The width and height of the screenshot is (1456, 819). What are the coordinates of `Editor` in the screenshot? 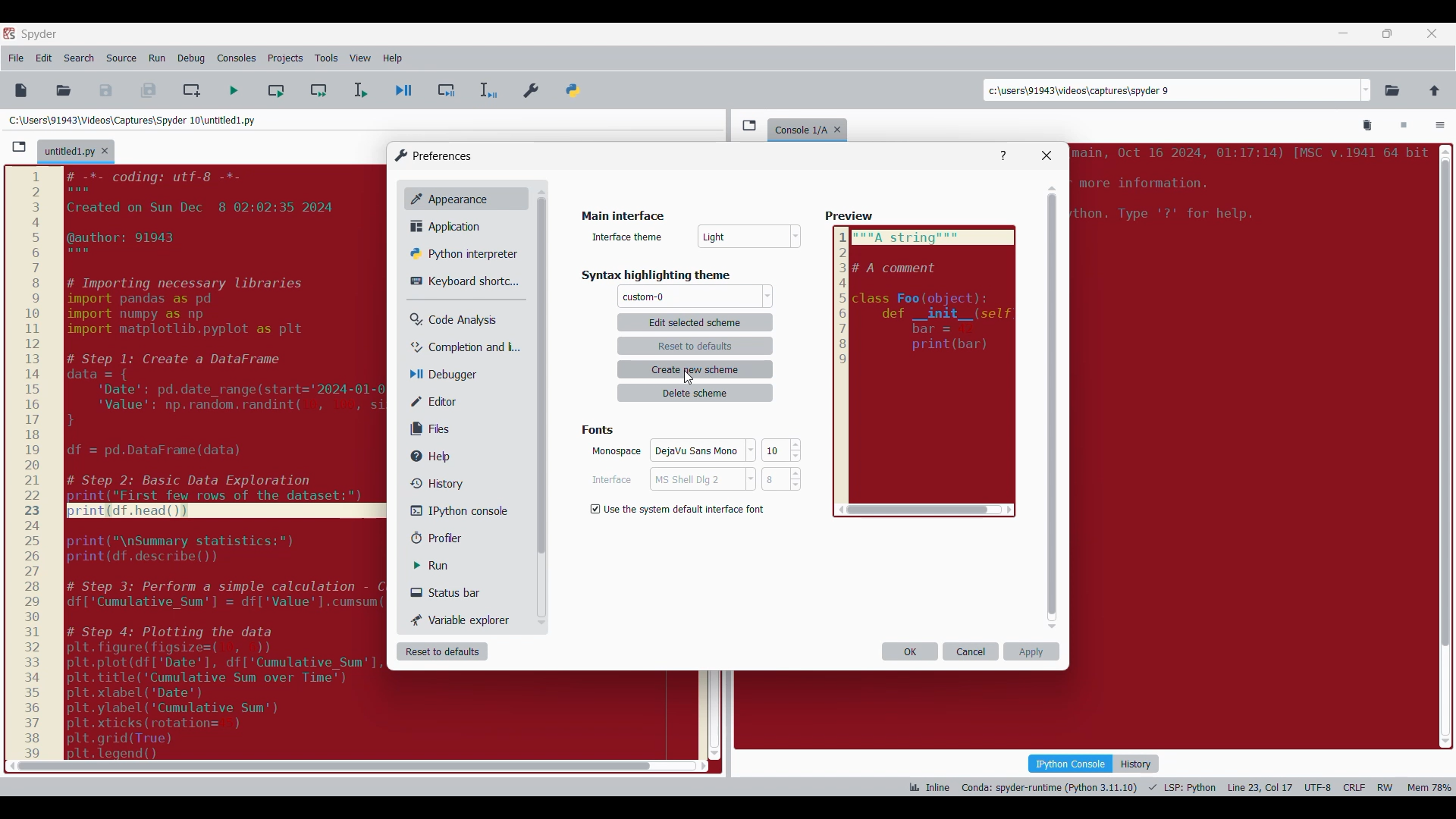 It's located at (467, 401).